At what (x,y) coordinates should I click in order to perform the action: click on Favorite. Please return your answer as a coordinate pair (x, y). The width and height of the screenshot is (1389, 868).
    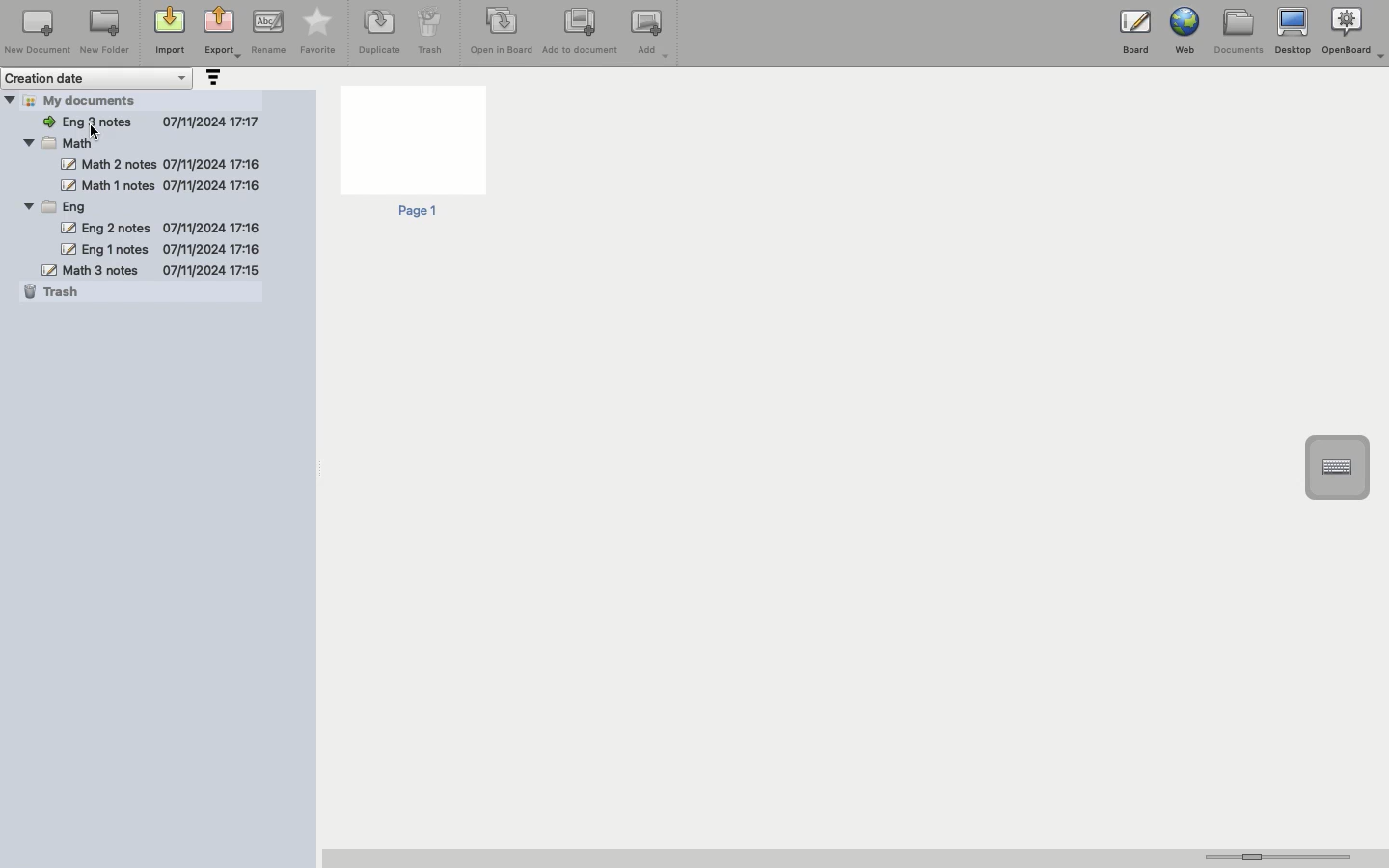
    Looking at the image, I should click on (318, 32).